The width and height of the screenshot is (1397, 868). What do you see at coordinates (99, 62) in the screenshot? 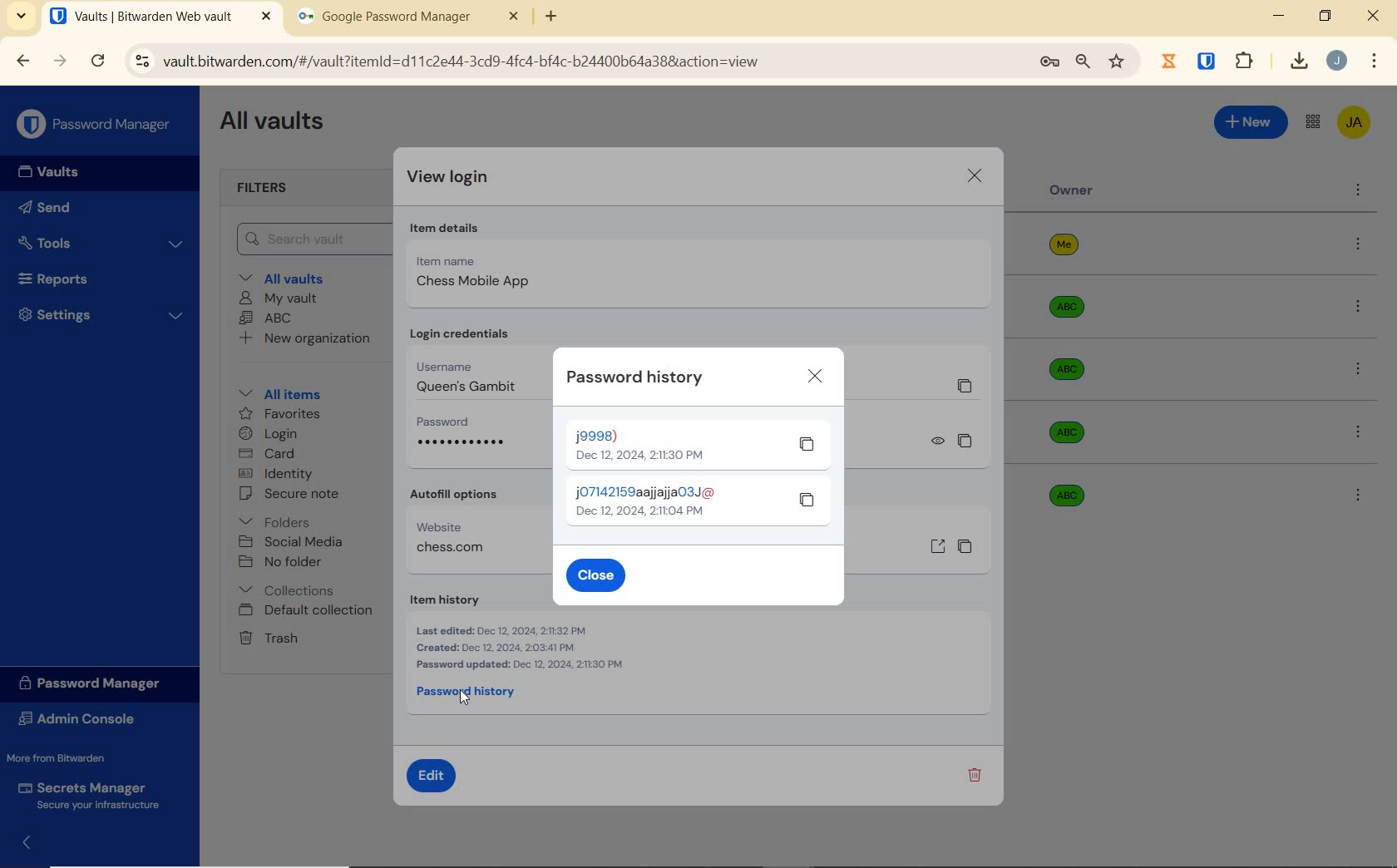
I see `reload` at bounding box center [99, 62].